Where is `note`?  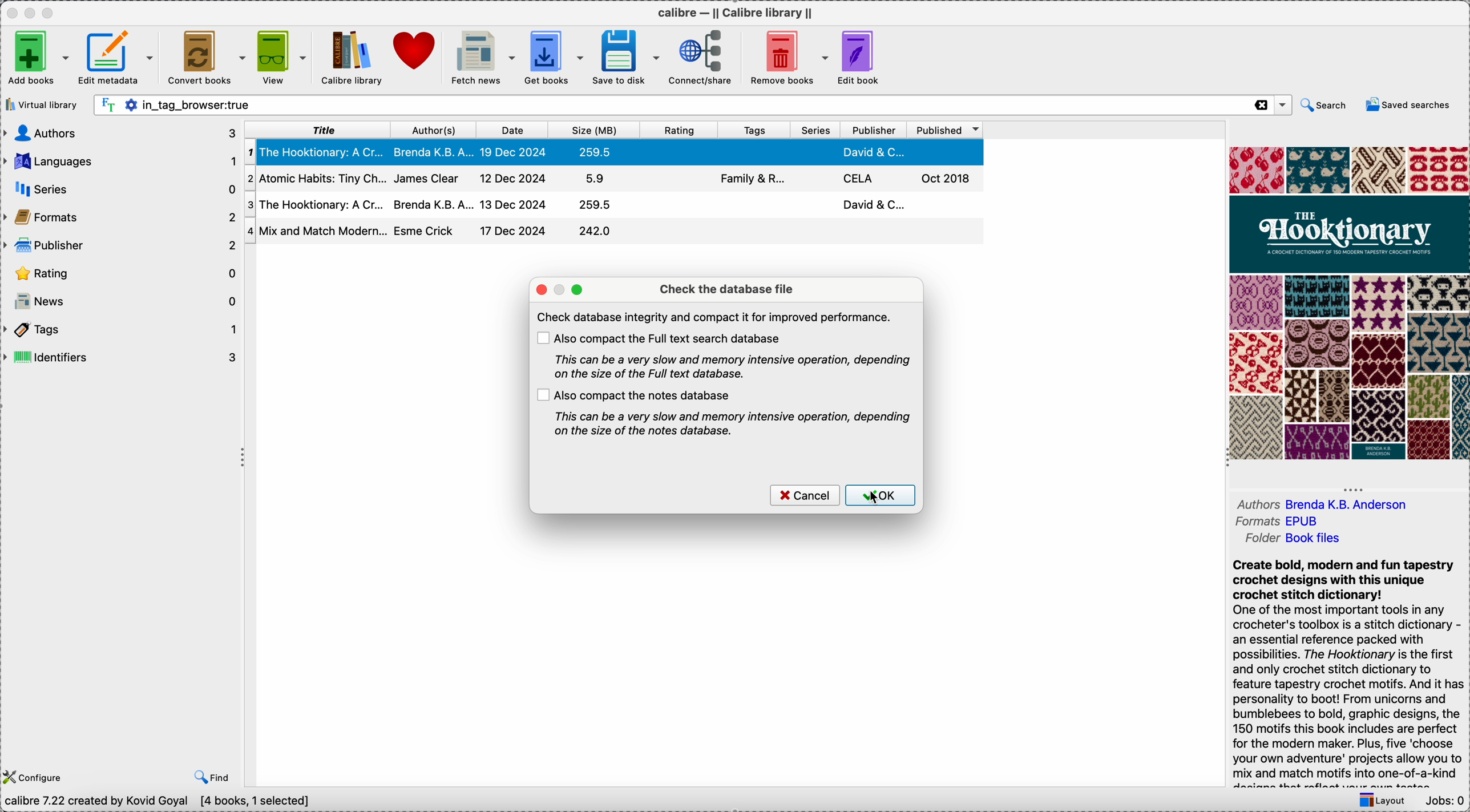 note is located at coordinates (718, 317).